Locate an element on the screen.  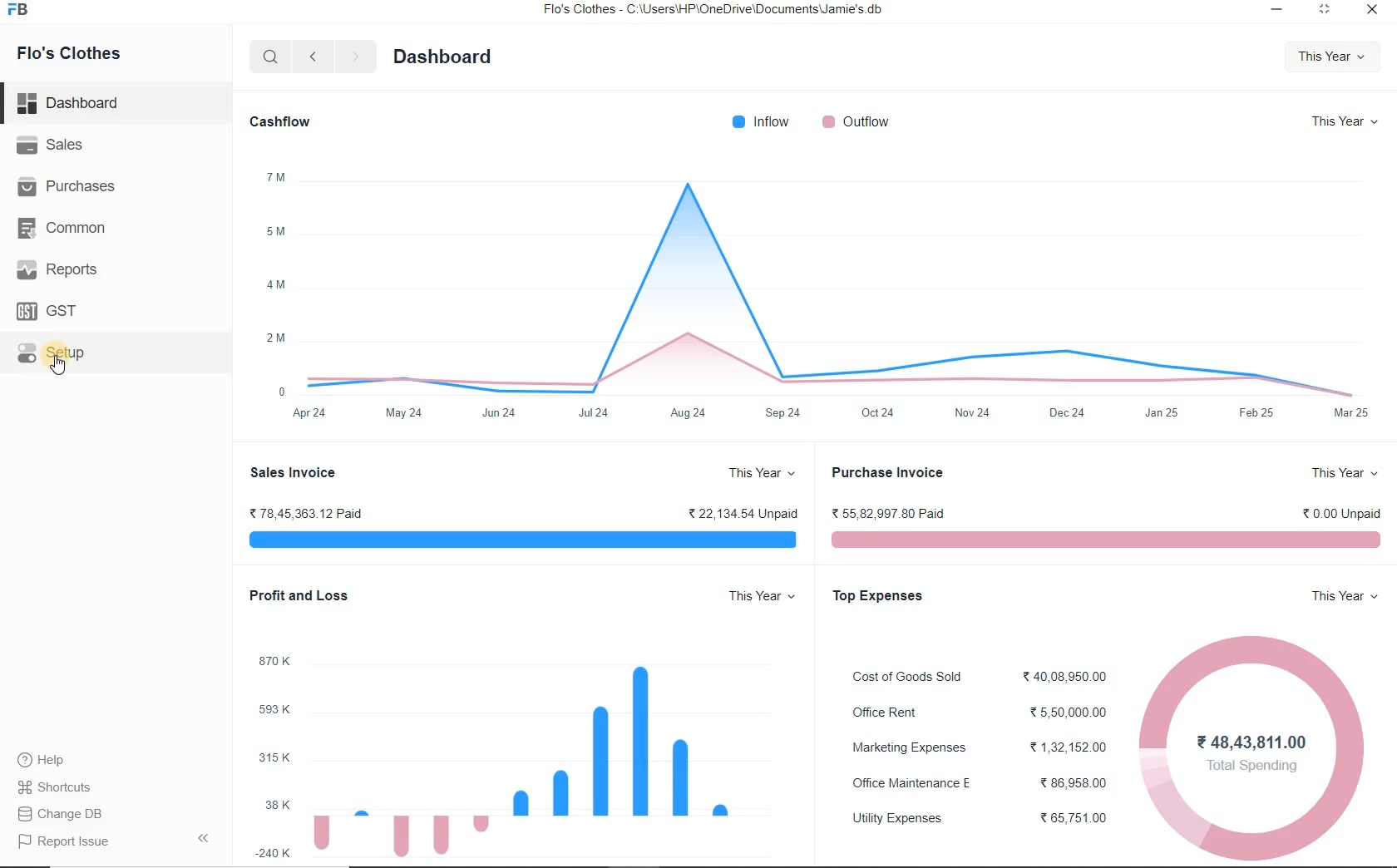
Report Issue is located at coordinates (115, 839).